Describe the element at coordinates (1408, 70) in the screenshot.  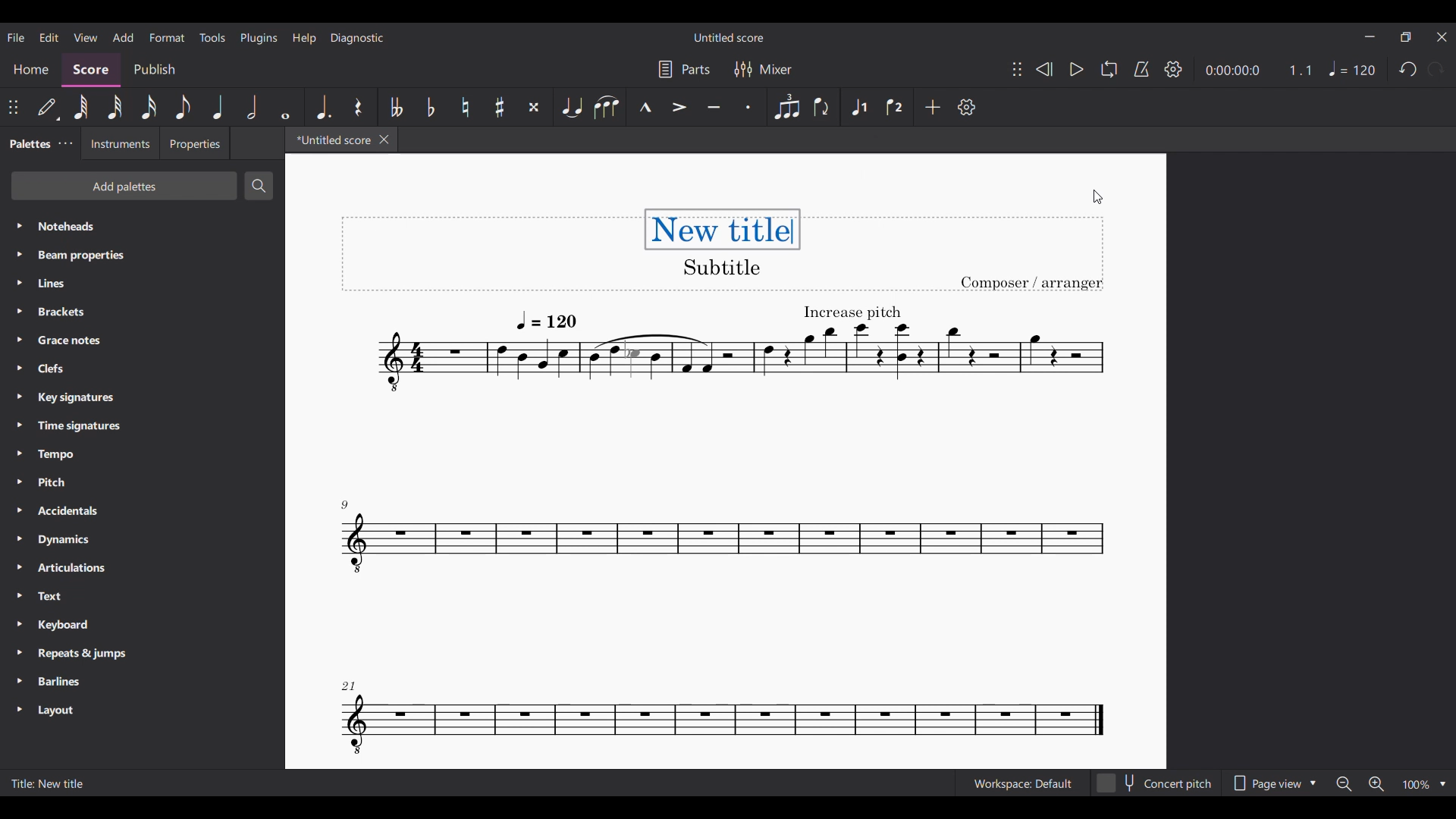
I see `Undo` at that location.